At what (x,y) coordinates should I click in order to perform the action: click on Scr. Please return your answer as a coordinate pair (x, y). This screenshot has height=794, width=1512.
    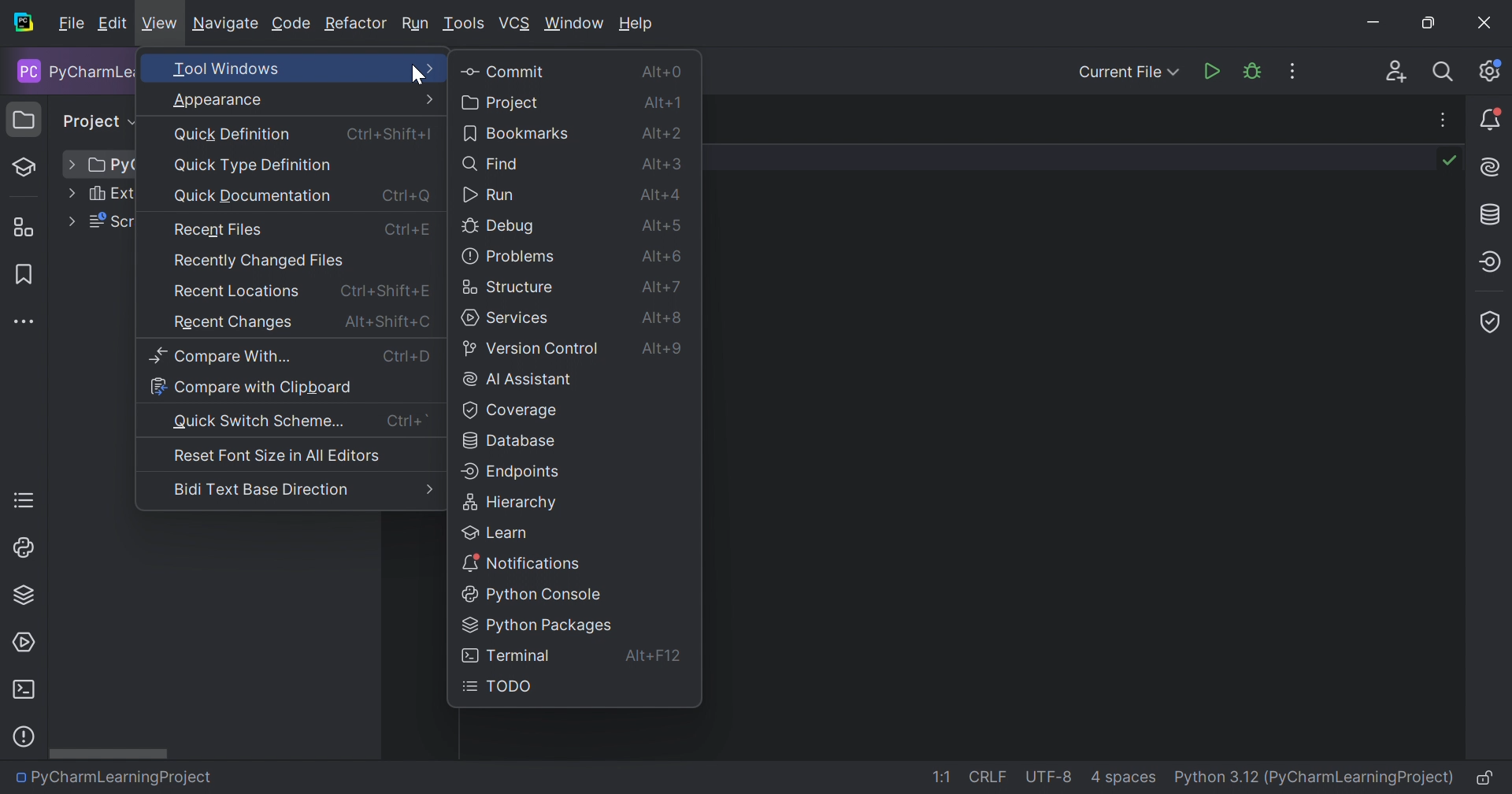
    Looking at the image, I should click on (109, 222).